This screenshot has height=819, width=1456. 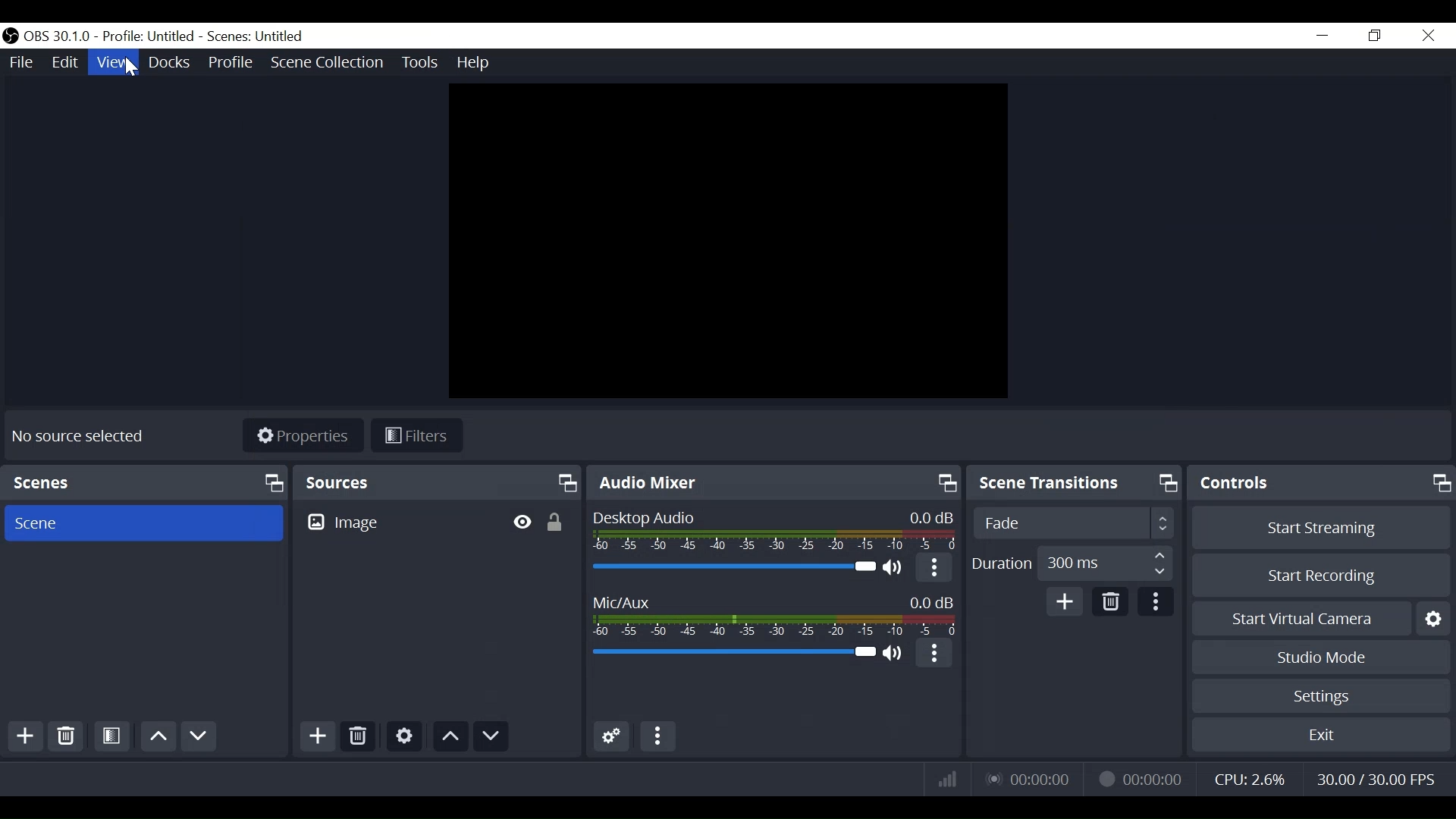 What do you see at coordinates (557, 519) in the screenshot?
I see `(un)lock Source` at bounding box center [557, 519].